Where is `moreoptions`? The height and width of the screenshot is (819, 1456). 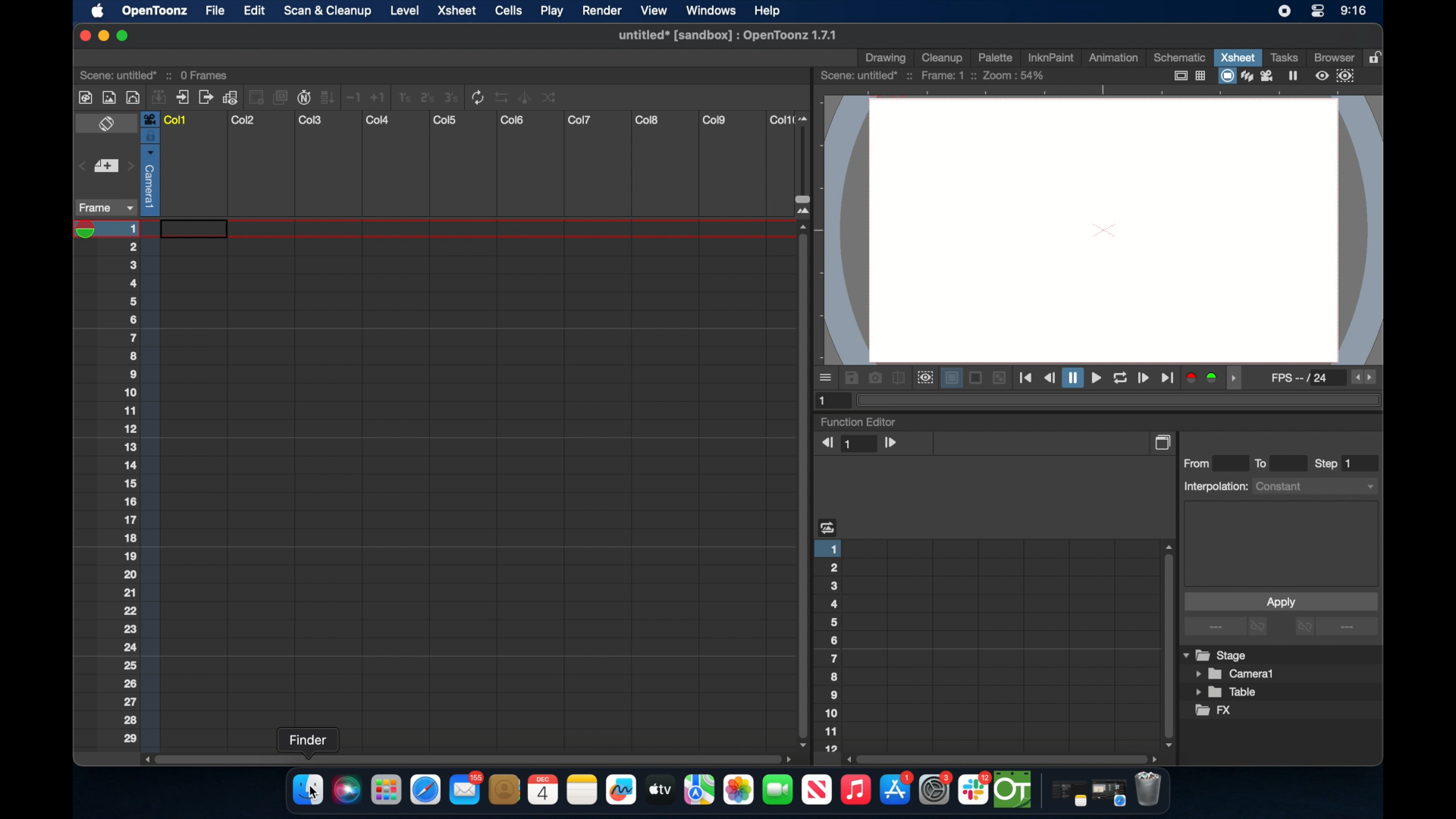 moreoptions is located at coordinates (827, 377).